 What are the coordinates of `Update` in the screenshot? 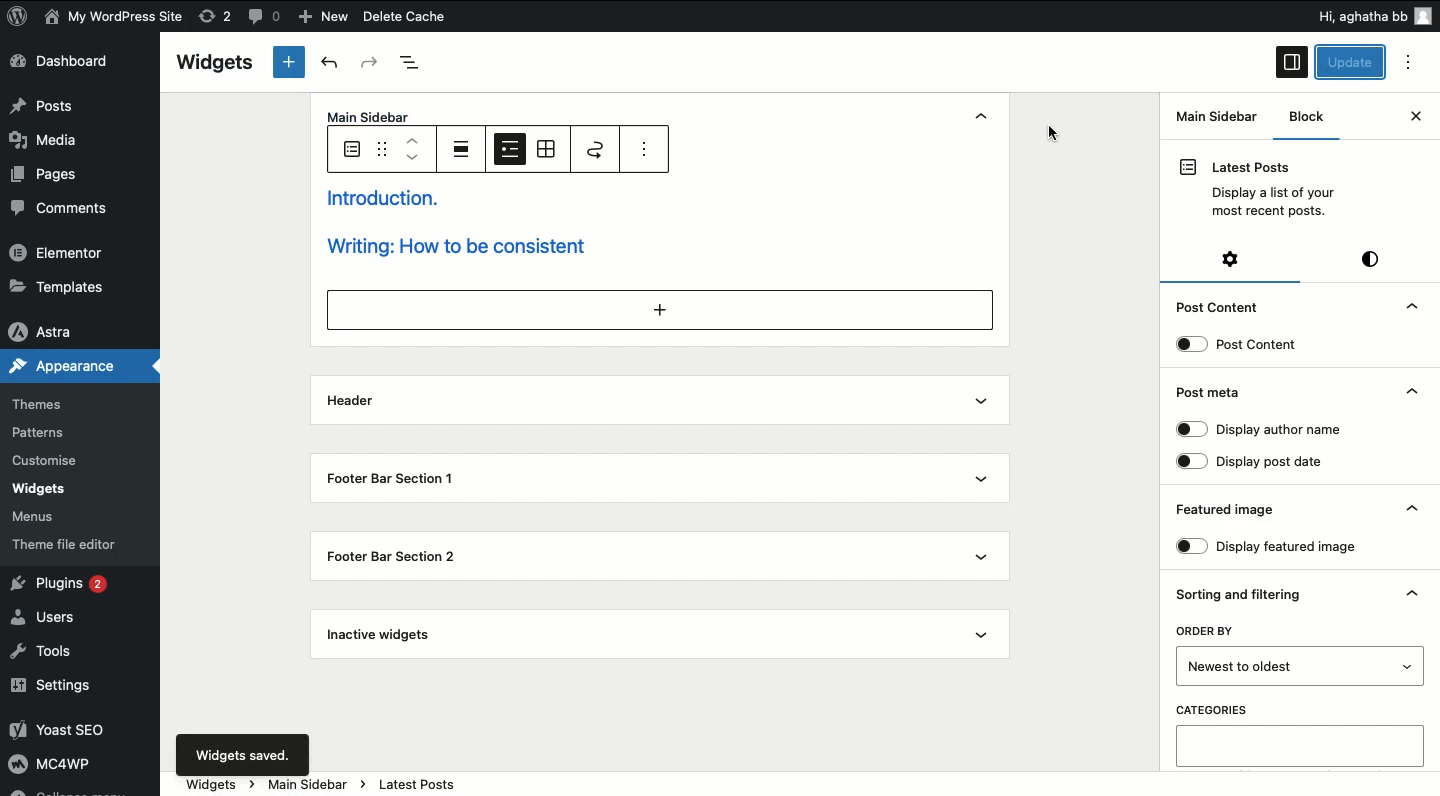 It's located at (1351, 60).